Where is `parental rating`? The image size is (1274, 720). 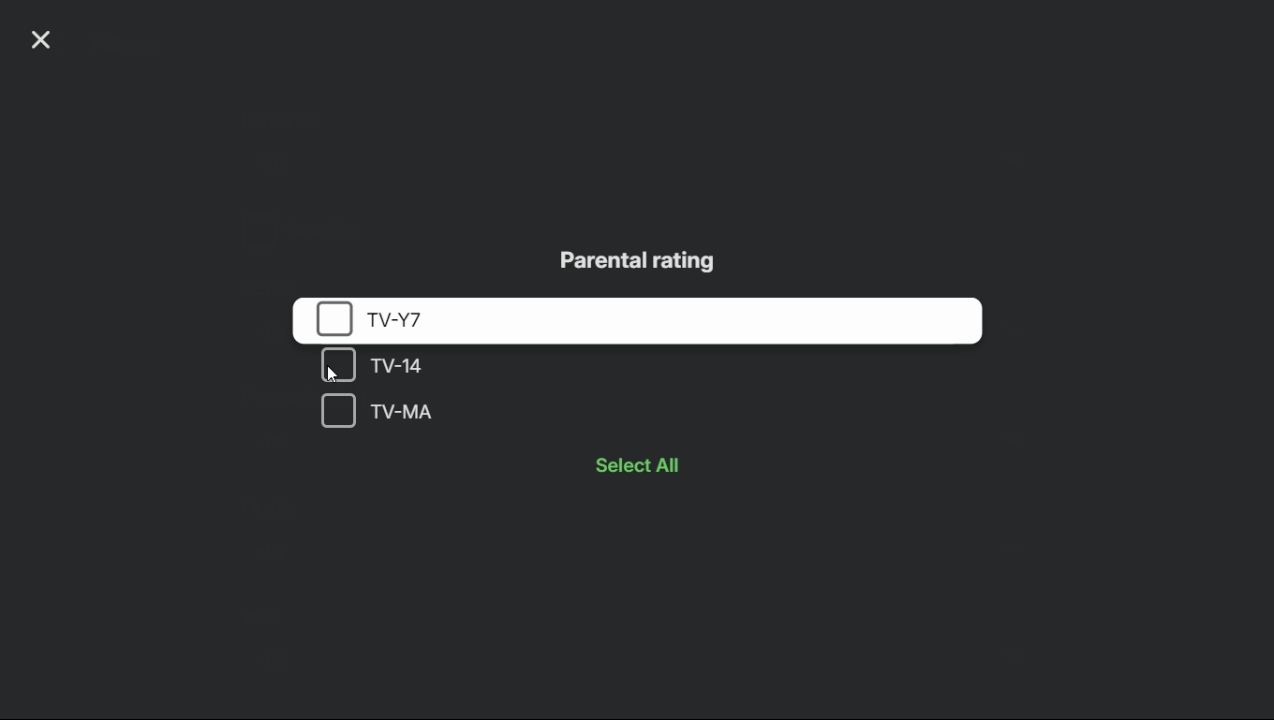 parental rating is located at coordinates (640, 261).